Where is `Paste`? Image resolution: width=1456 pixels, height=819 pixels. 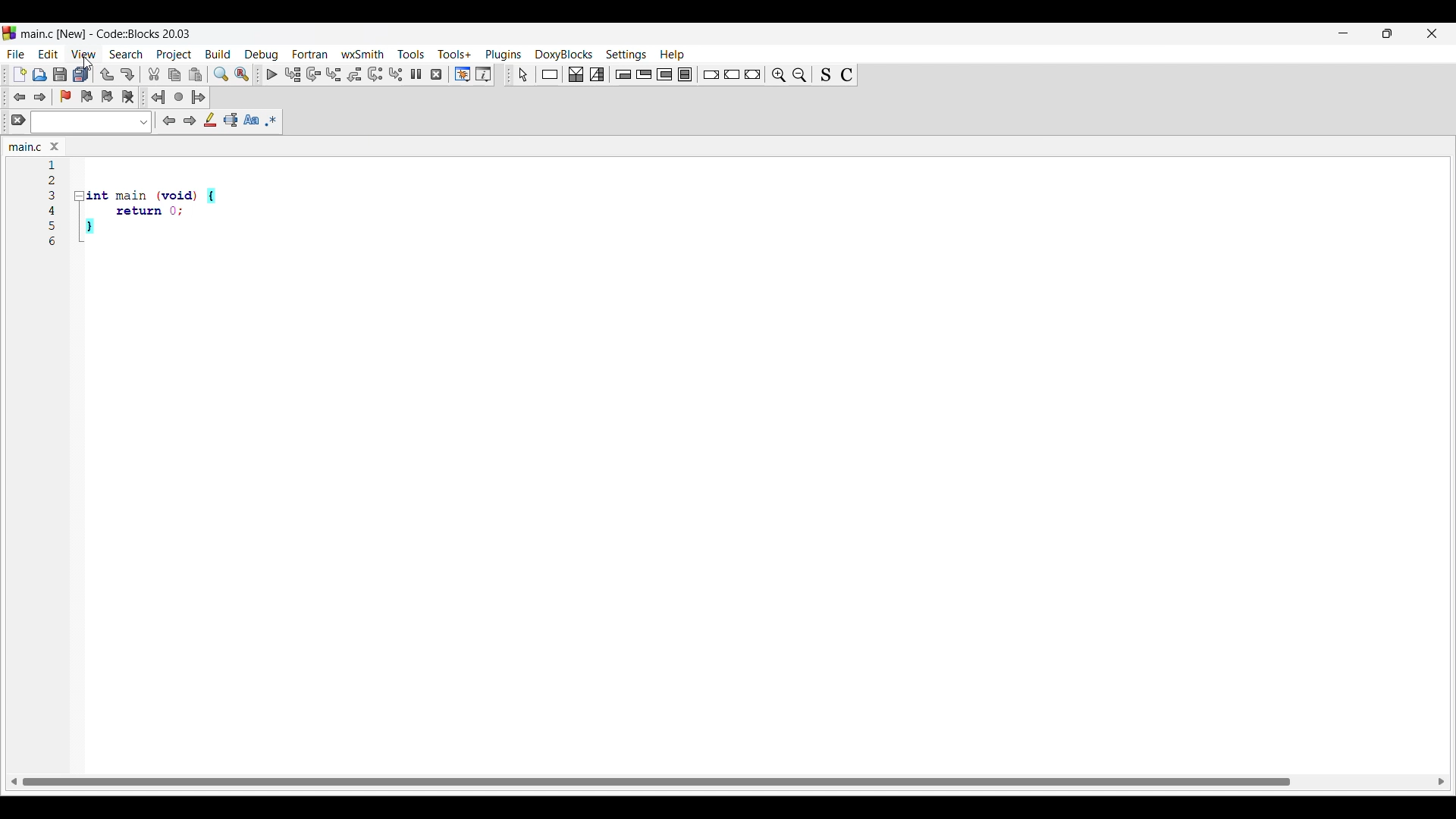 Paste is located at coordinates (196, 74).